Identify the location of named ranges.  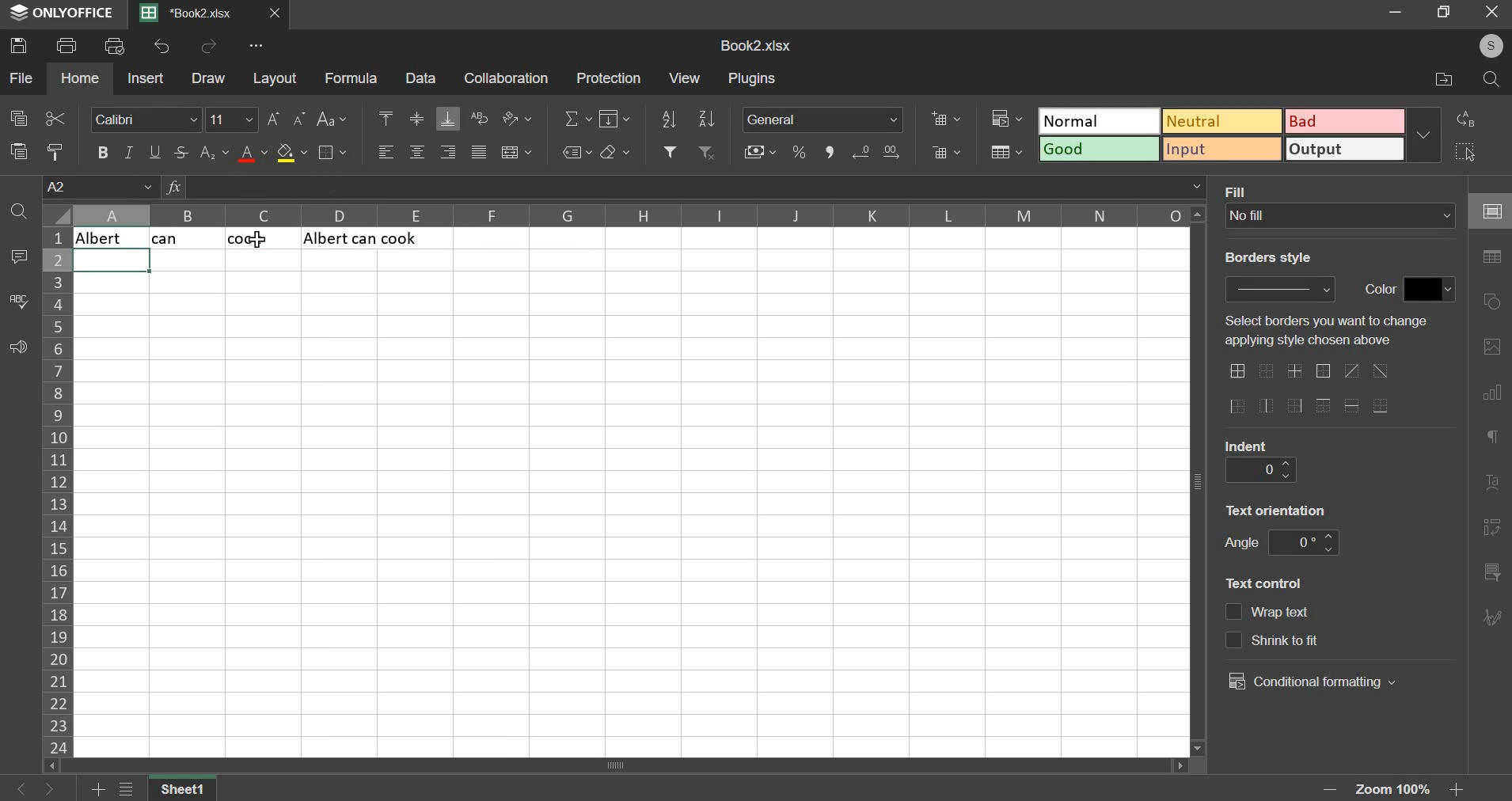
(576, 152).